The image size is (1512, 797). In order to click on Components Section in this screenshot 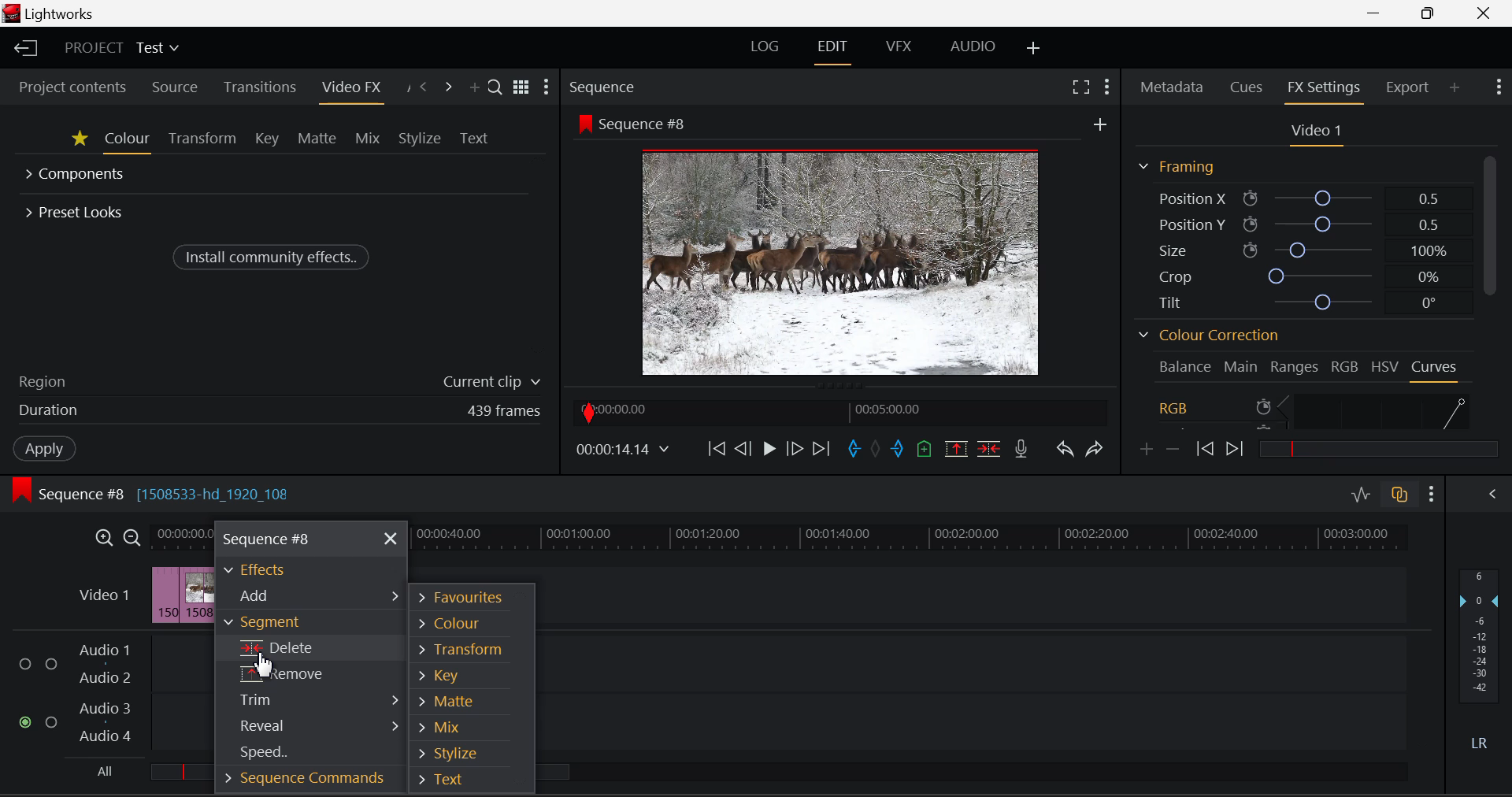, I will do `click(77, 176)`.